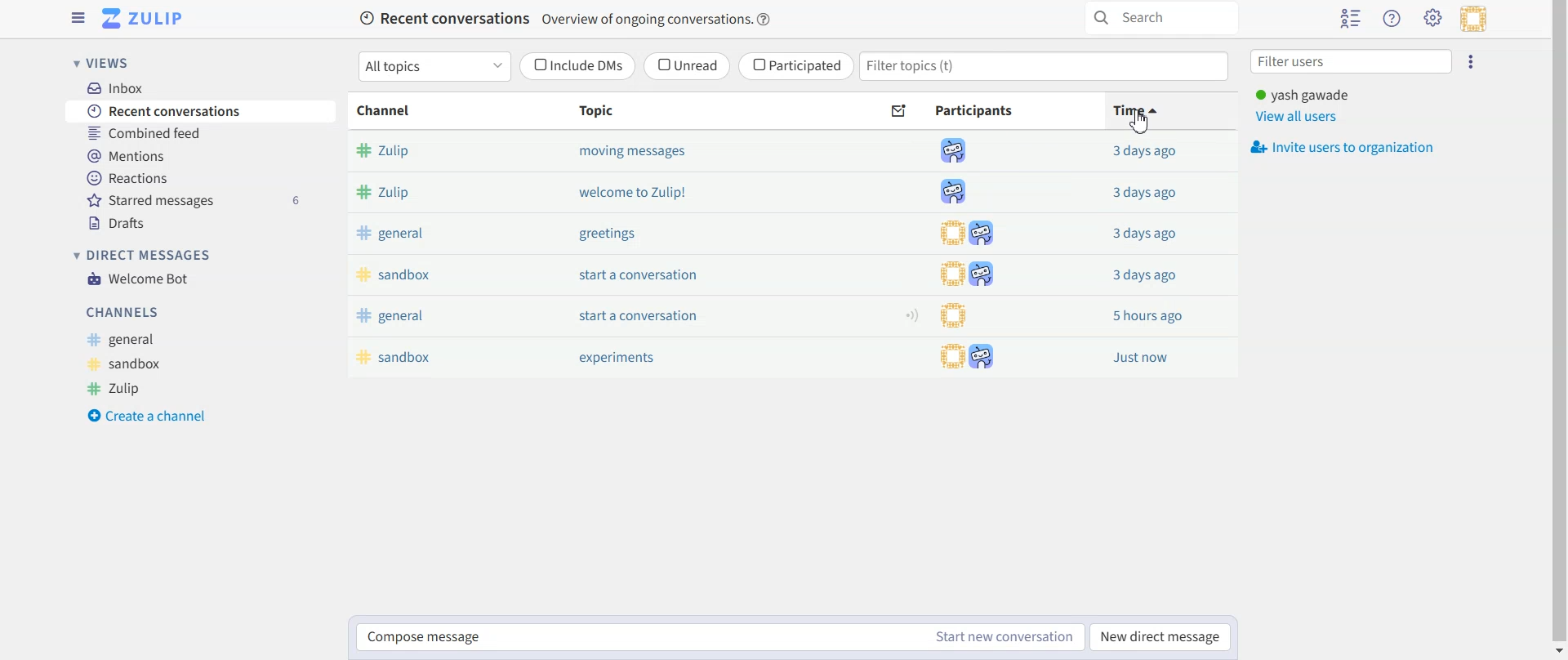 Image resolution: width=1568 pixels, height=660 pixels. I want to click on Sandbox, so click(122, 364).